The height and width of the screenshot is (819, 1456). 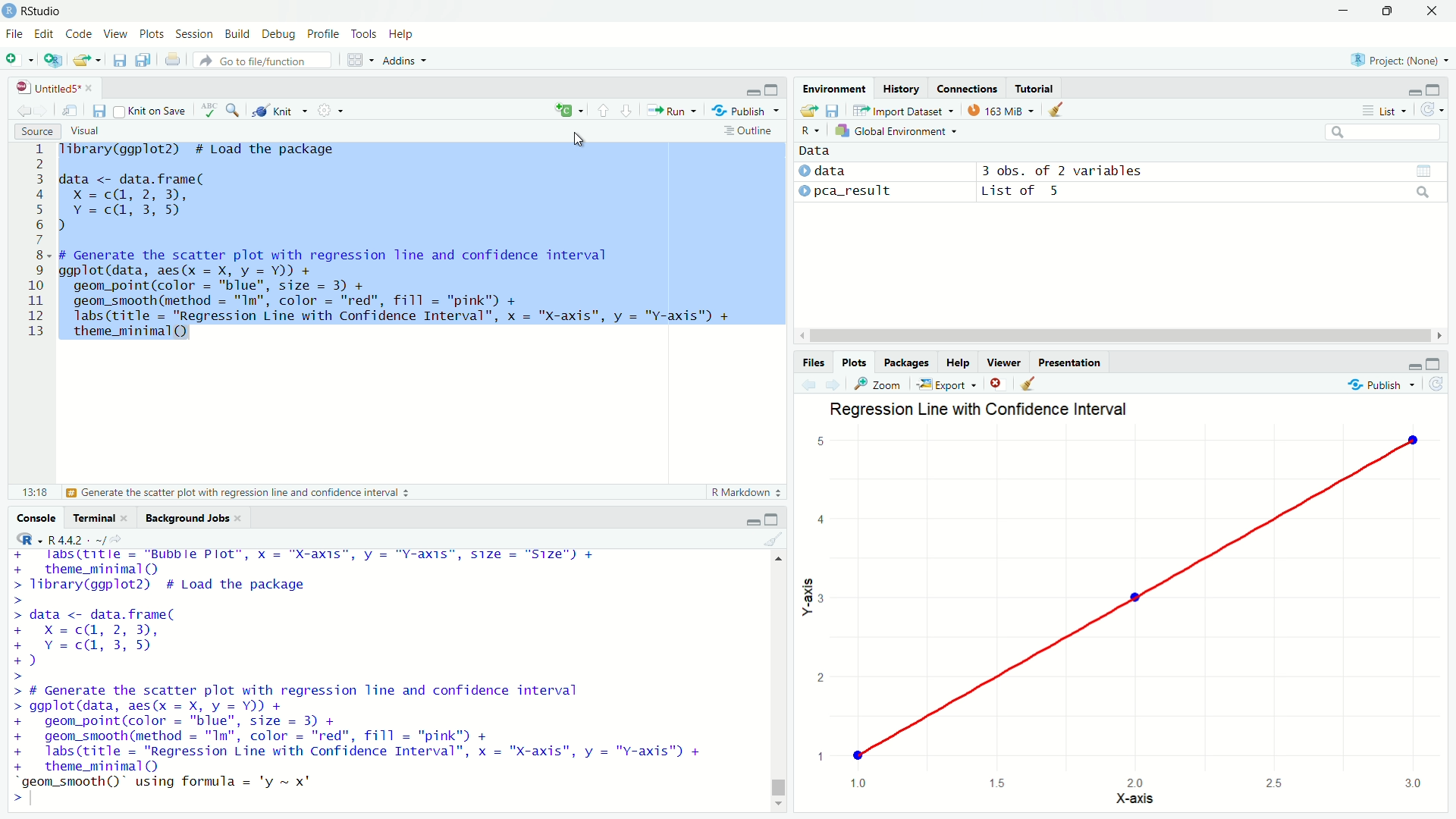 I want to click on search, so click(x=1383, y=132).